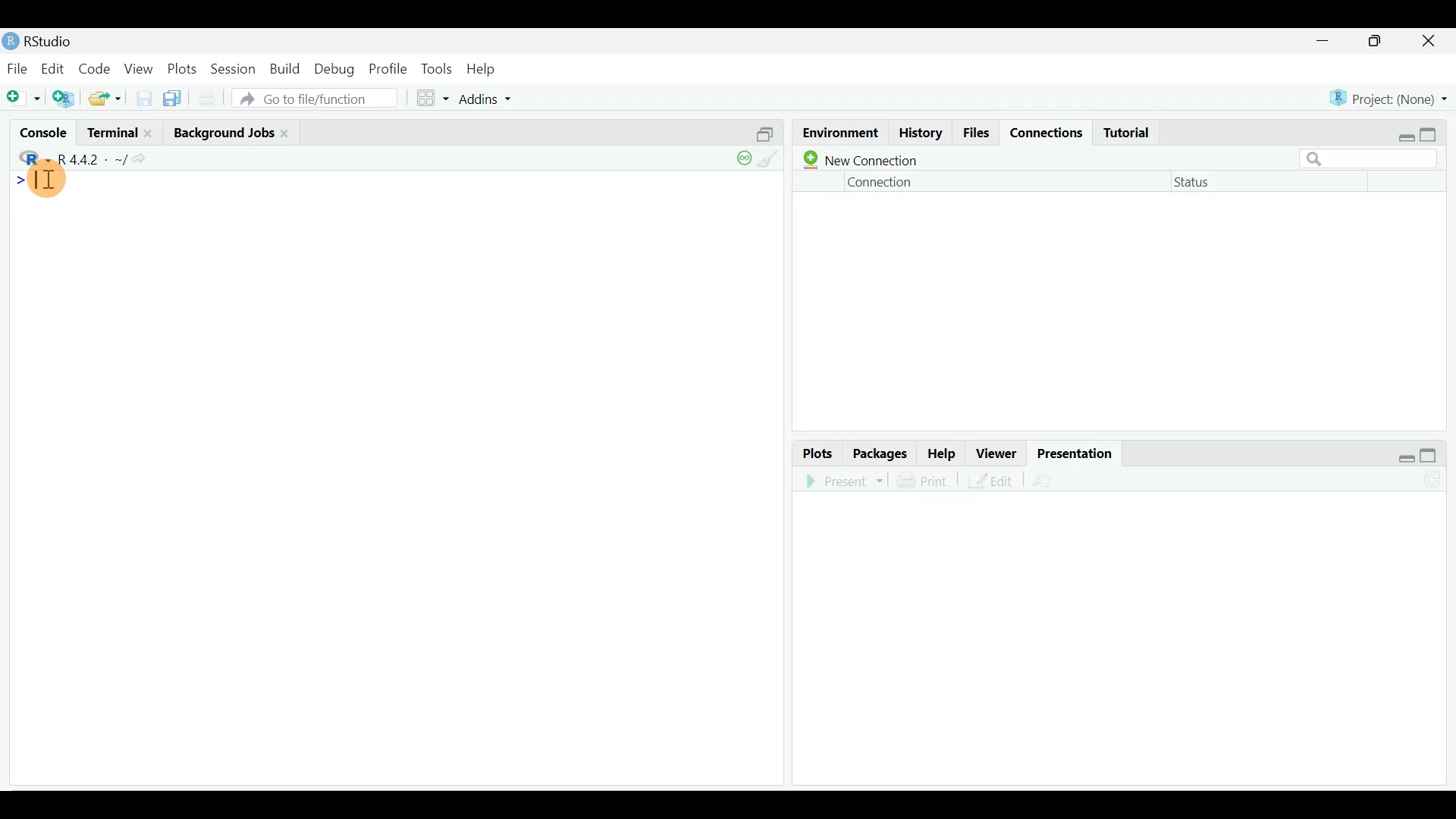 The image size is (1456, 819). I want to click on Print current file, so click(206, 99).